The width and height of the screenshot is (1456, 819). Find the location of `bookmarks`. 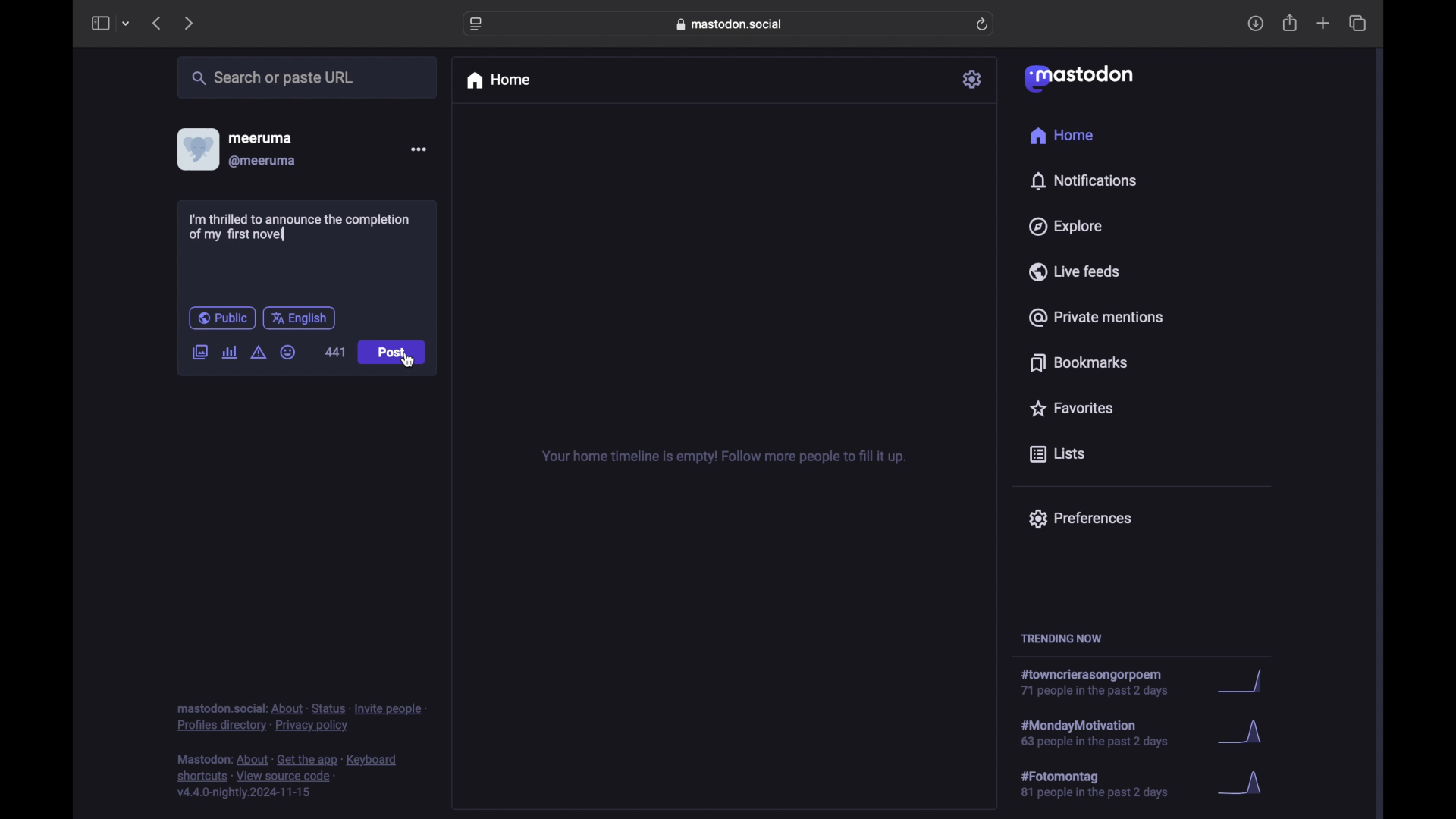

bookmarks is located at coordinates (1081, 362).